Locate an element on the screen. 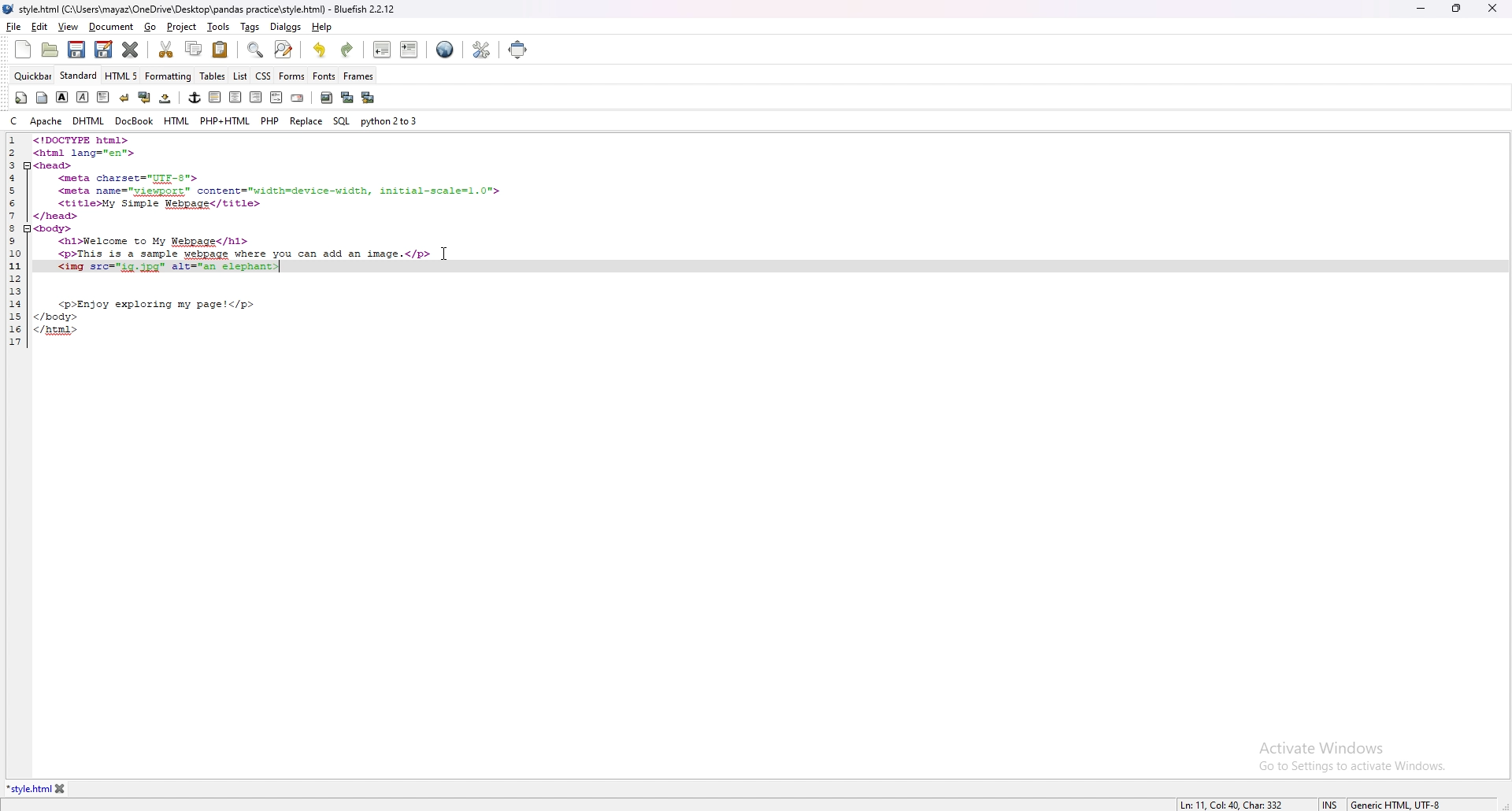 The width and height of the screenshot is (1512, 811). html5 is located at coordinates (121, 76).